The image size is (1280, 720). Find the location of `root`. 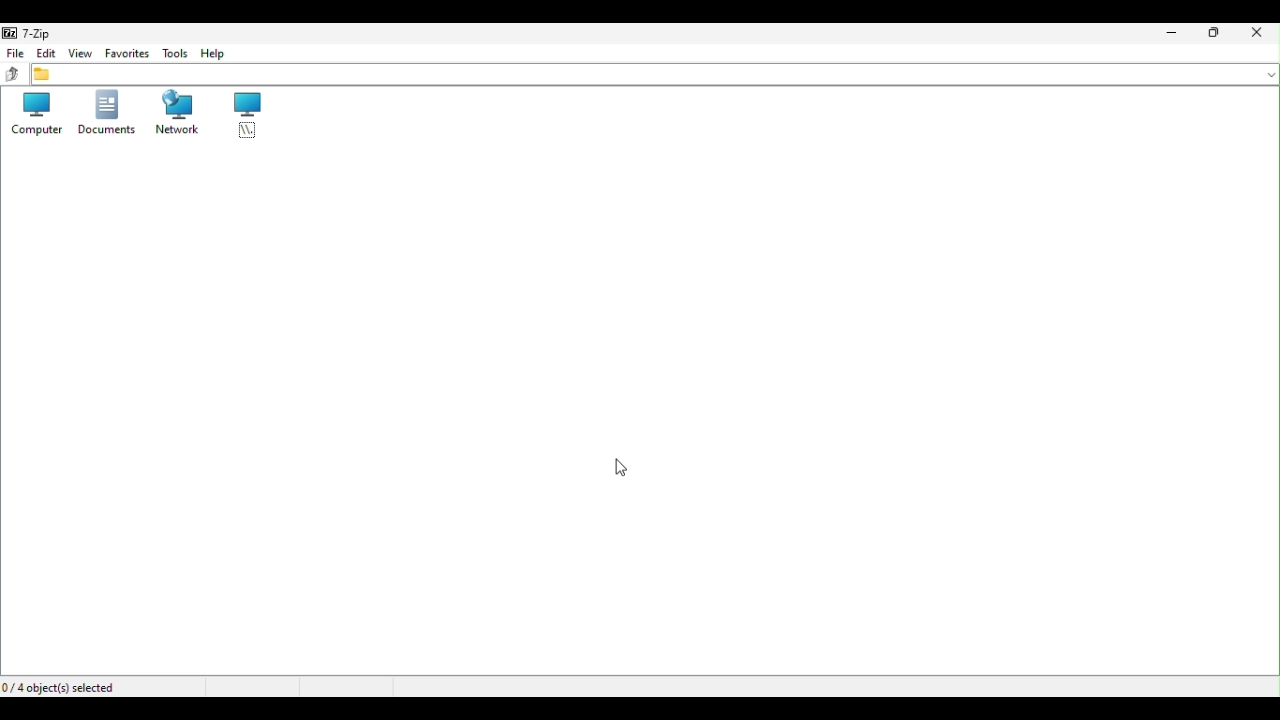

root is located at coordinates (249, 116).